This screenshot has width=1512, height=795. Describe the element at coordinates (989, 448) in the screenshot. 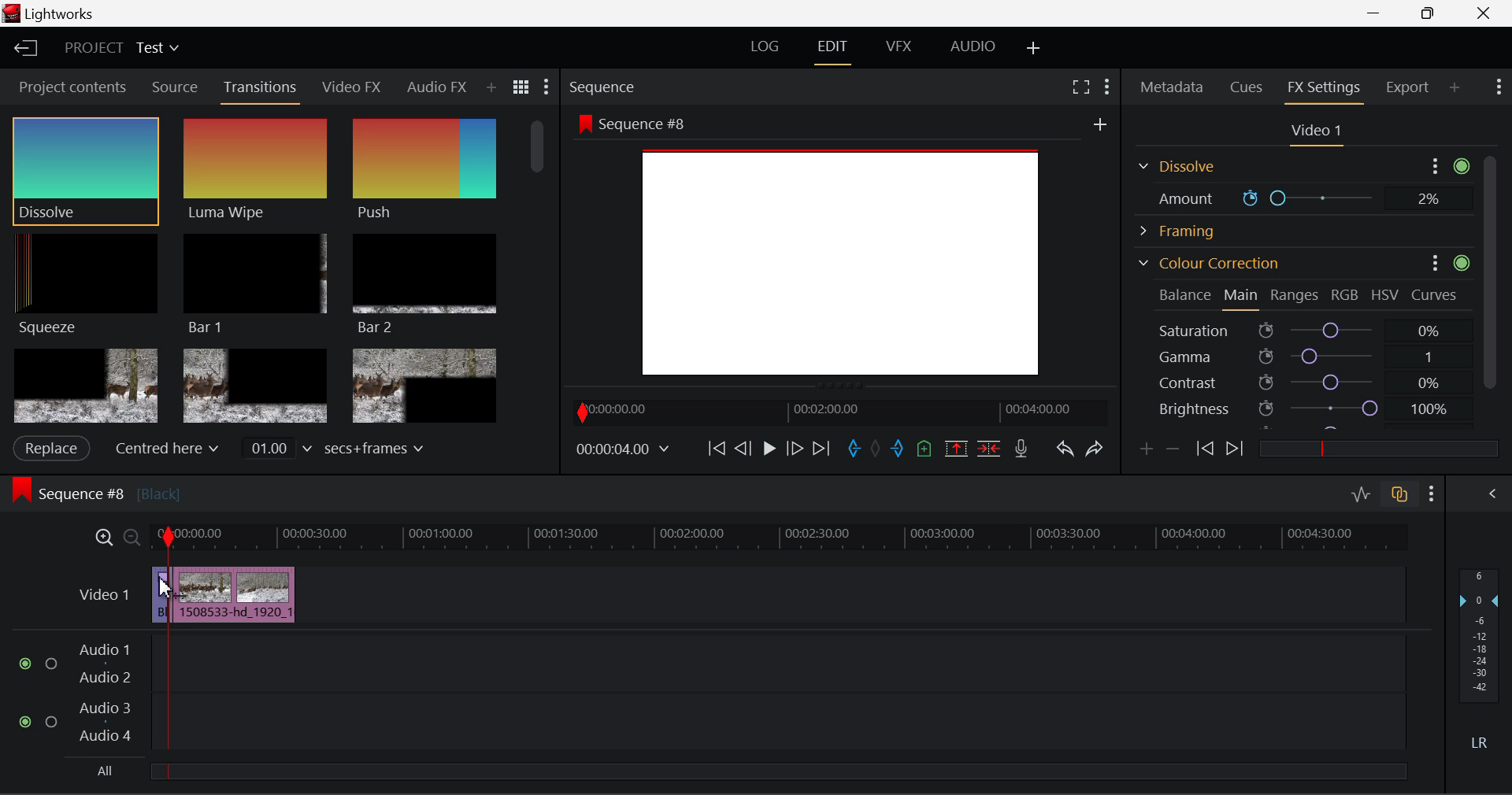

I see `Delete/Cut` at that location.